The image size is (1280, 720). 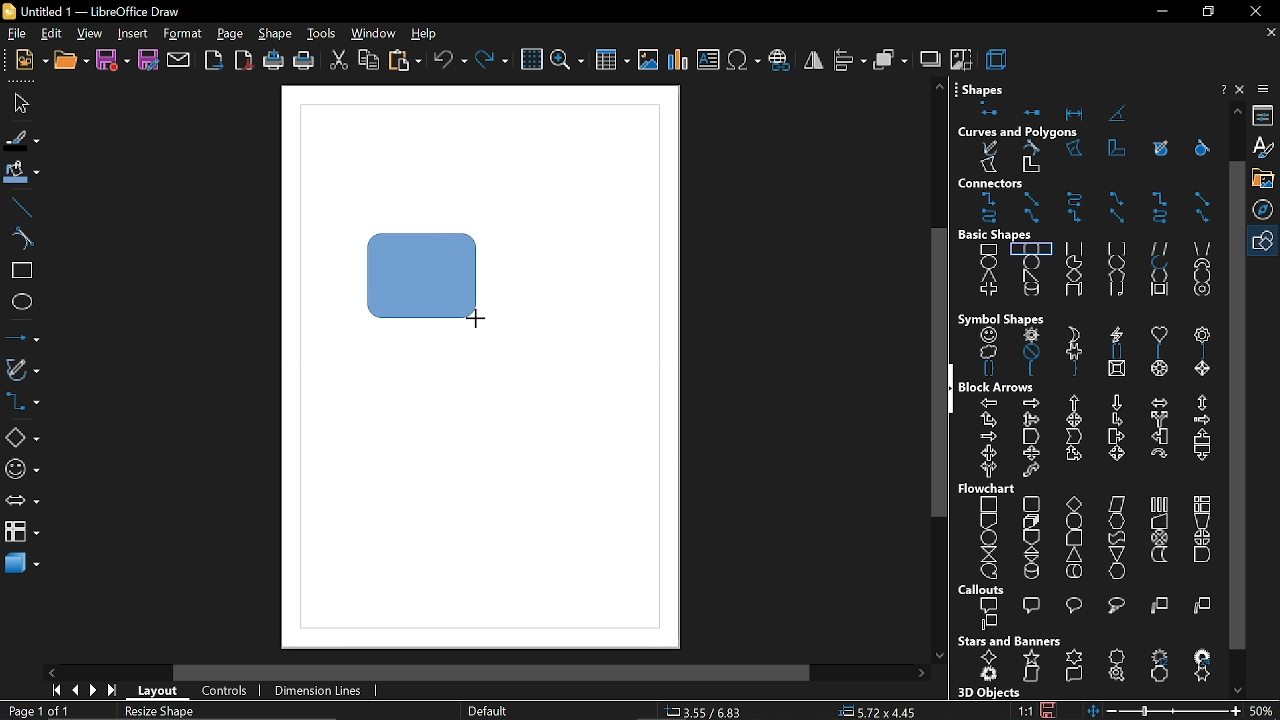 I want to click on minimize, so click(x=1160, y=13).